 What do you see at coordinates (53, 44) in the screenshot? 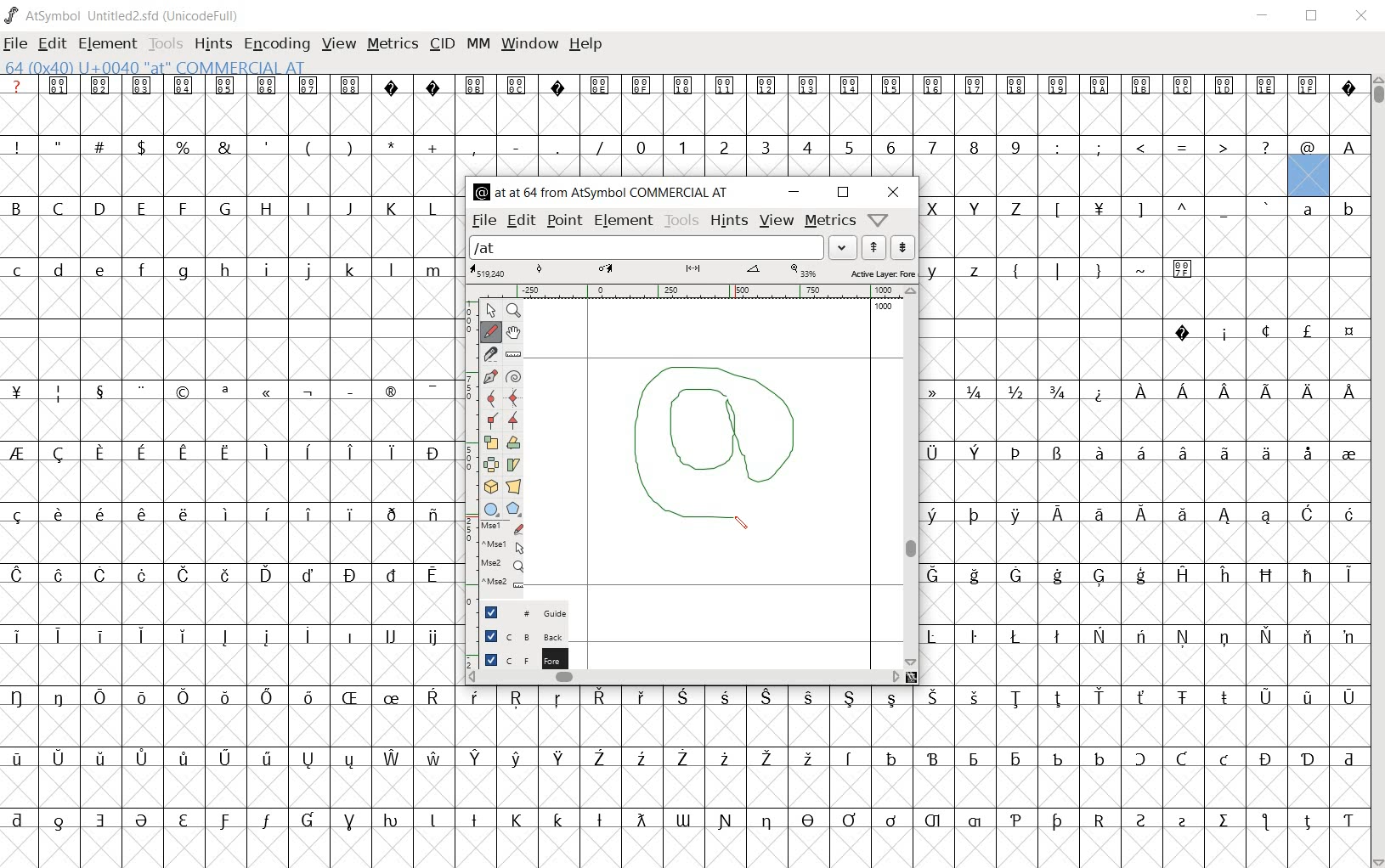
I see `EDIT` at bounding box center [53, 44].